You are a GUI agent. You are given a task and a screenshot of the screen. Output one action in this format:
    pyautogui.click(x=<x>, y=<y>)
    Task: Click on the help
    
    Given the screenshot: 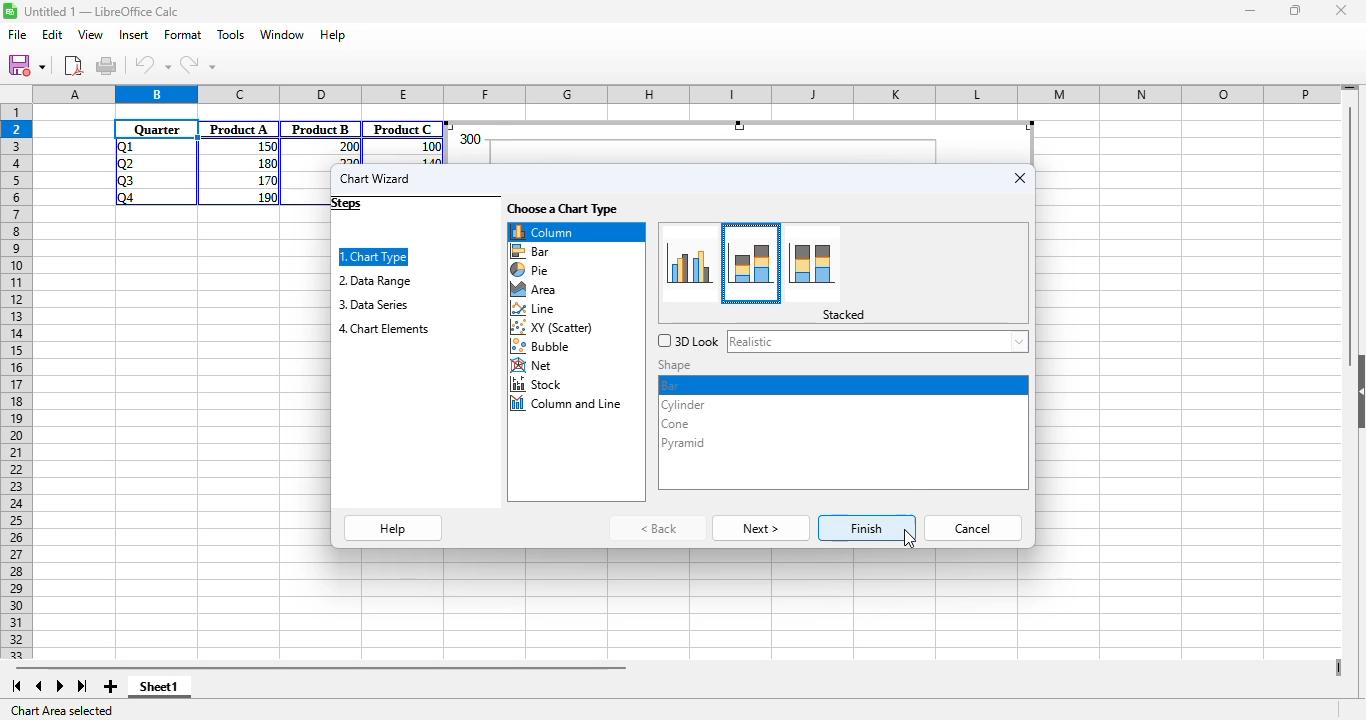 What is the action you would take?
    pyautogui.click(x=333, y=34)
    